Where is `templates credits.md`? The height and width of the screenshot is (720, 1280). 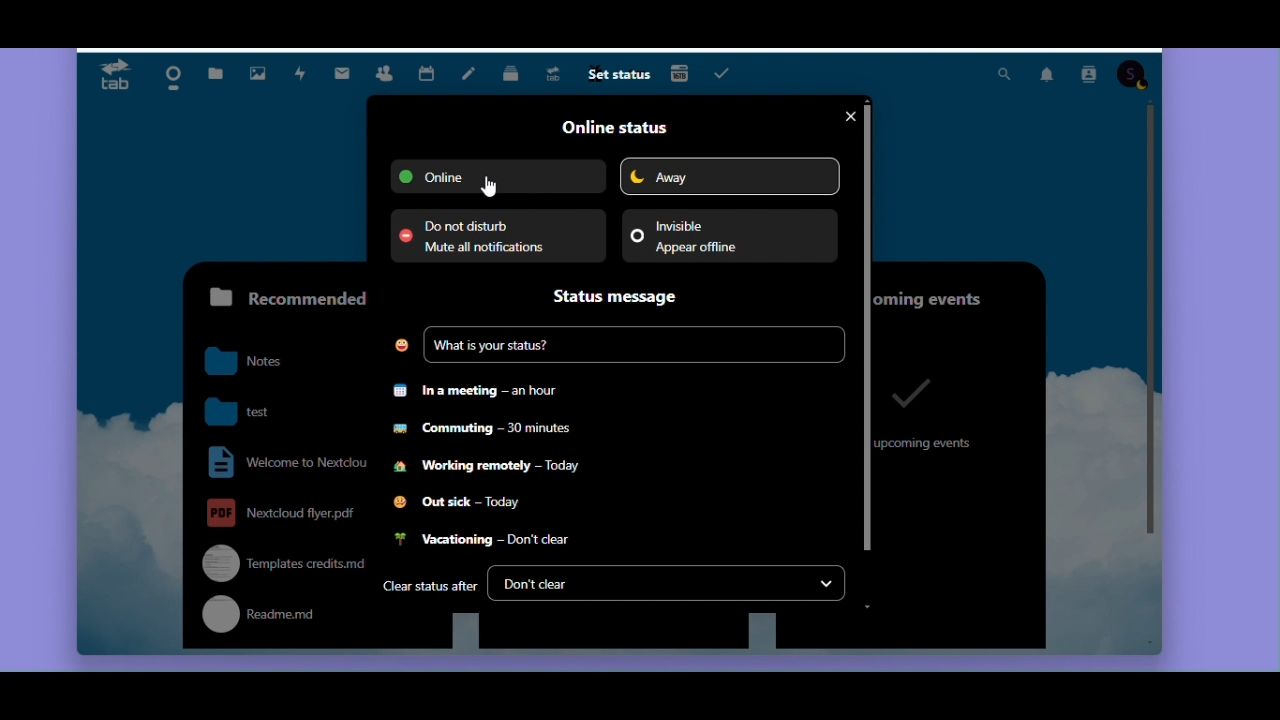
templates credits.md is located at coordinates (278, 562).